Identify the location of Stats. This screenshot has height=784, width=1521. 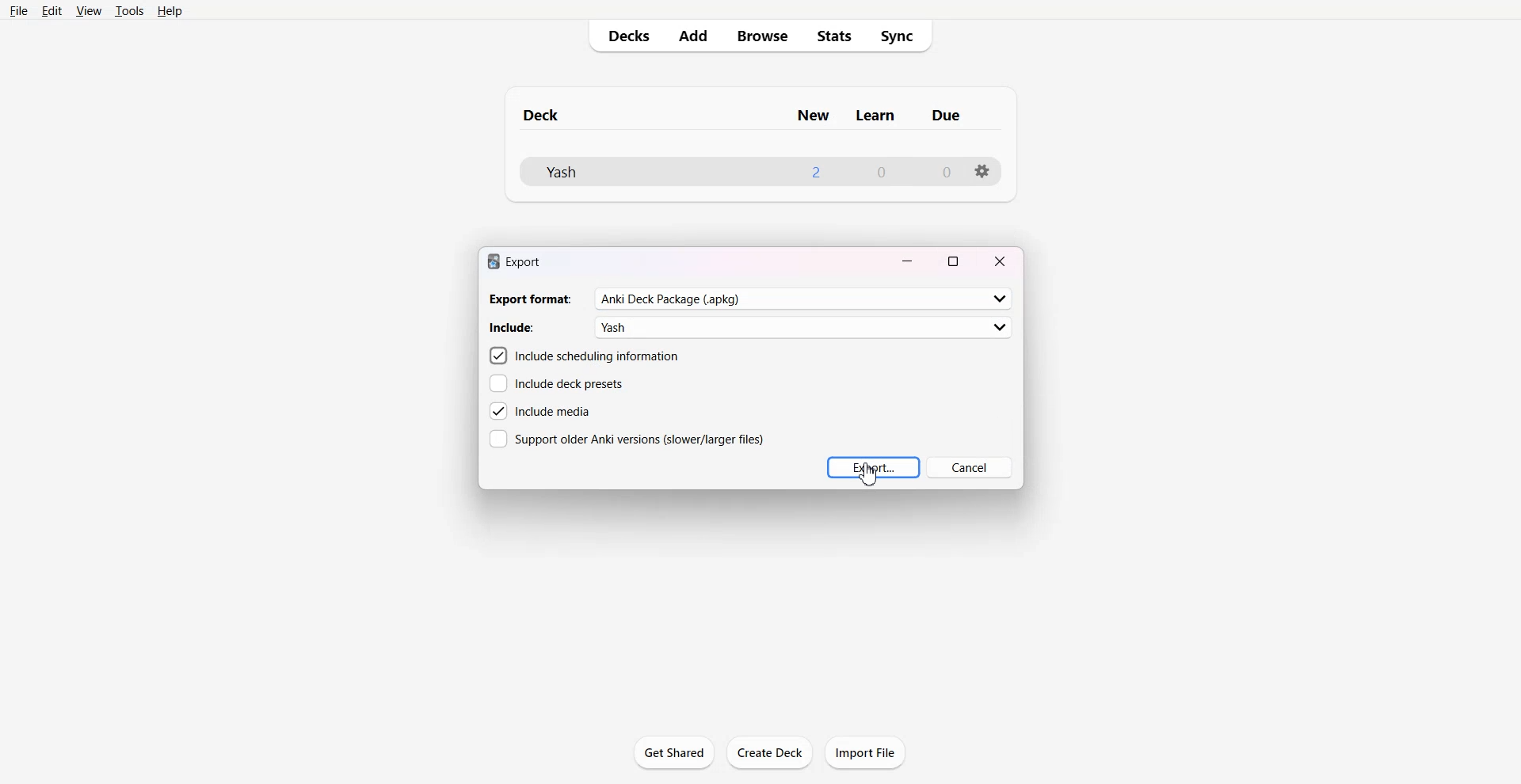
(835, 36).